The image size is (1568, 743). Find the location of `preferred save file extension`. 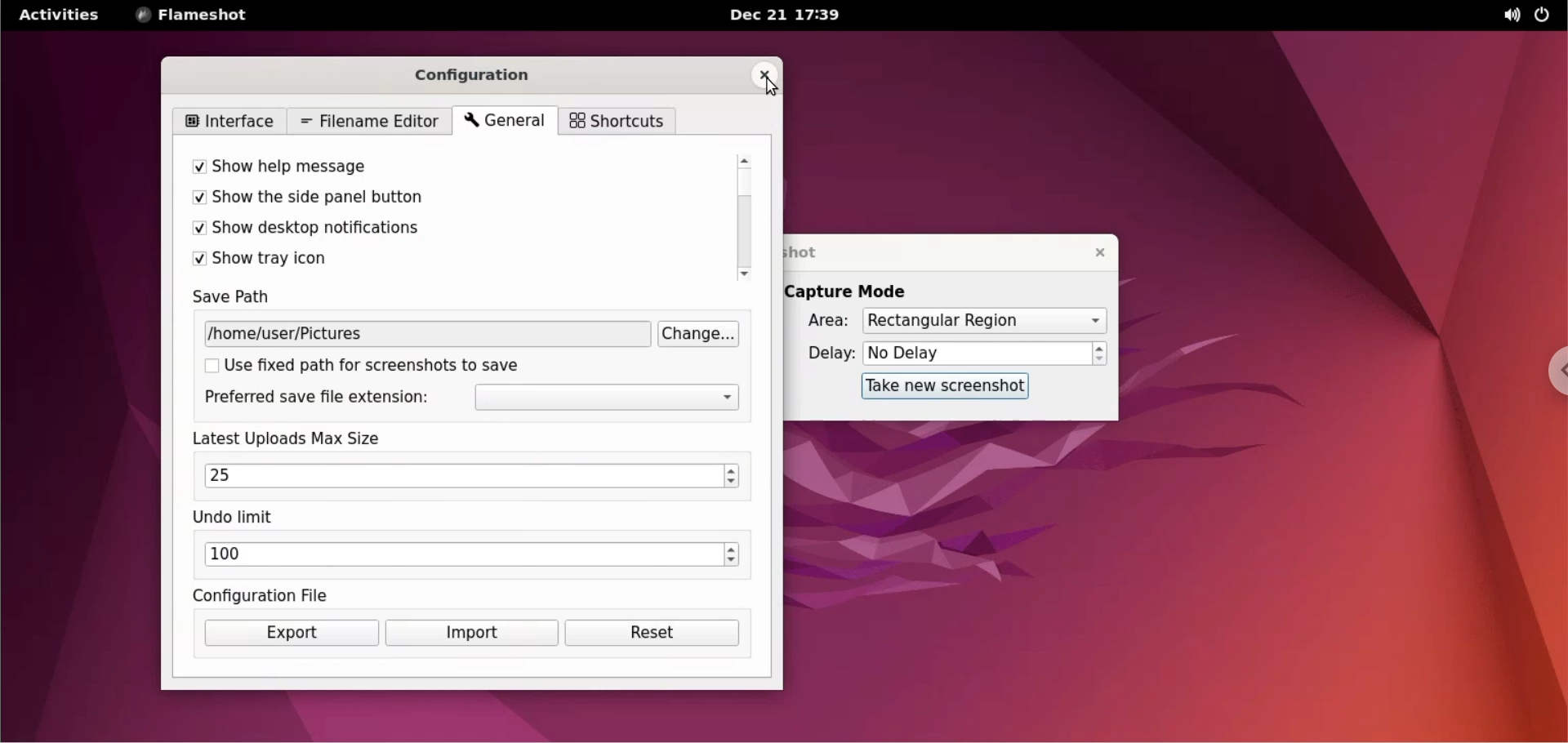

preferred save file extension is located at coordinates (315, 398).